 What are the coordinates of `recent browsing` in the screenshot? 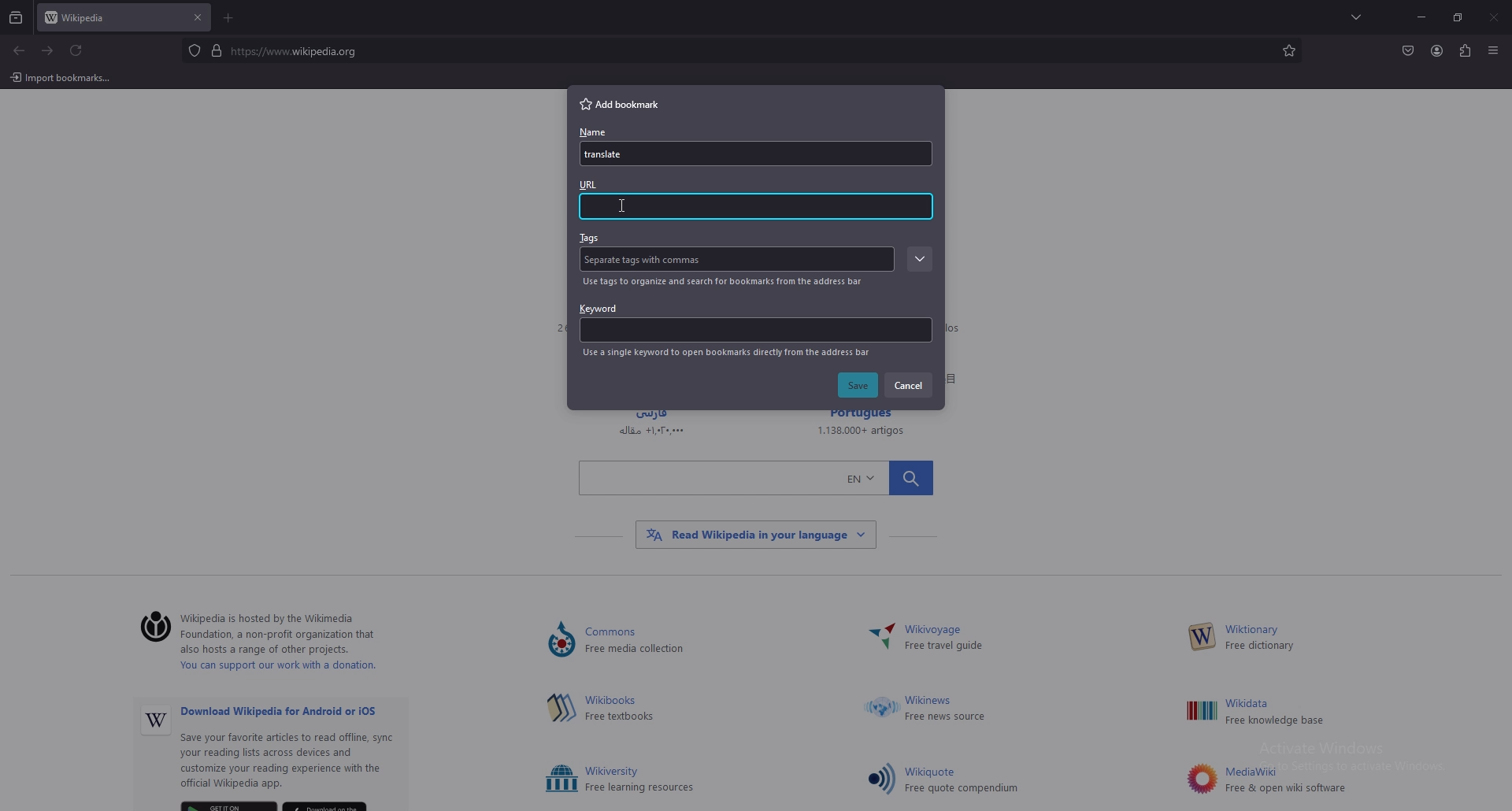 It's located at (17, 19).